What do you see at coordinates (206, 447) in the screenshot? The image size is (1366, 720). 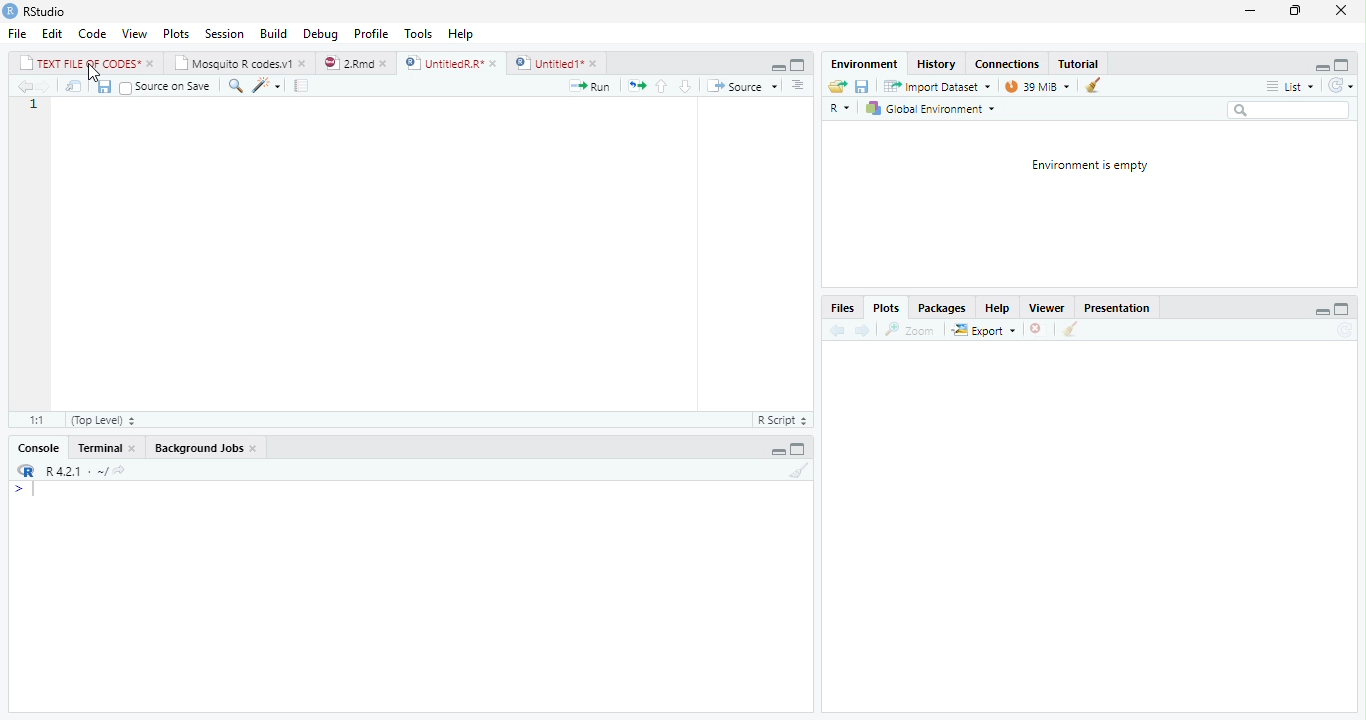 I see `Background Jobs` at bounding box center [206, 447].